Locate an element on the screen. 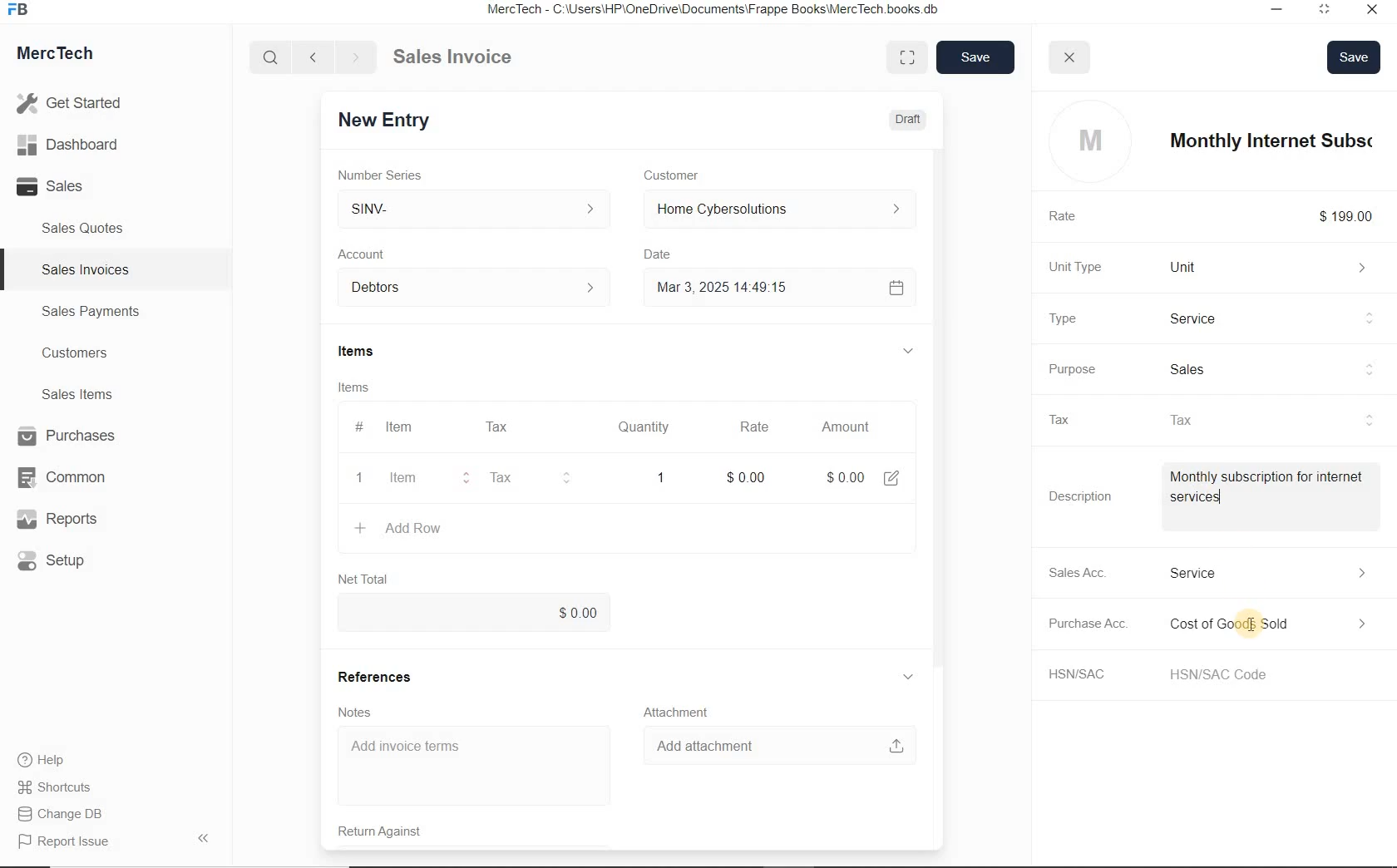 Image resolution: width=1397 pixels, height=868 pixels. HSN/SAC is located at coordinates (1078, 674).